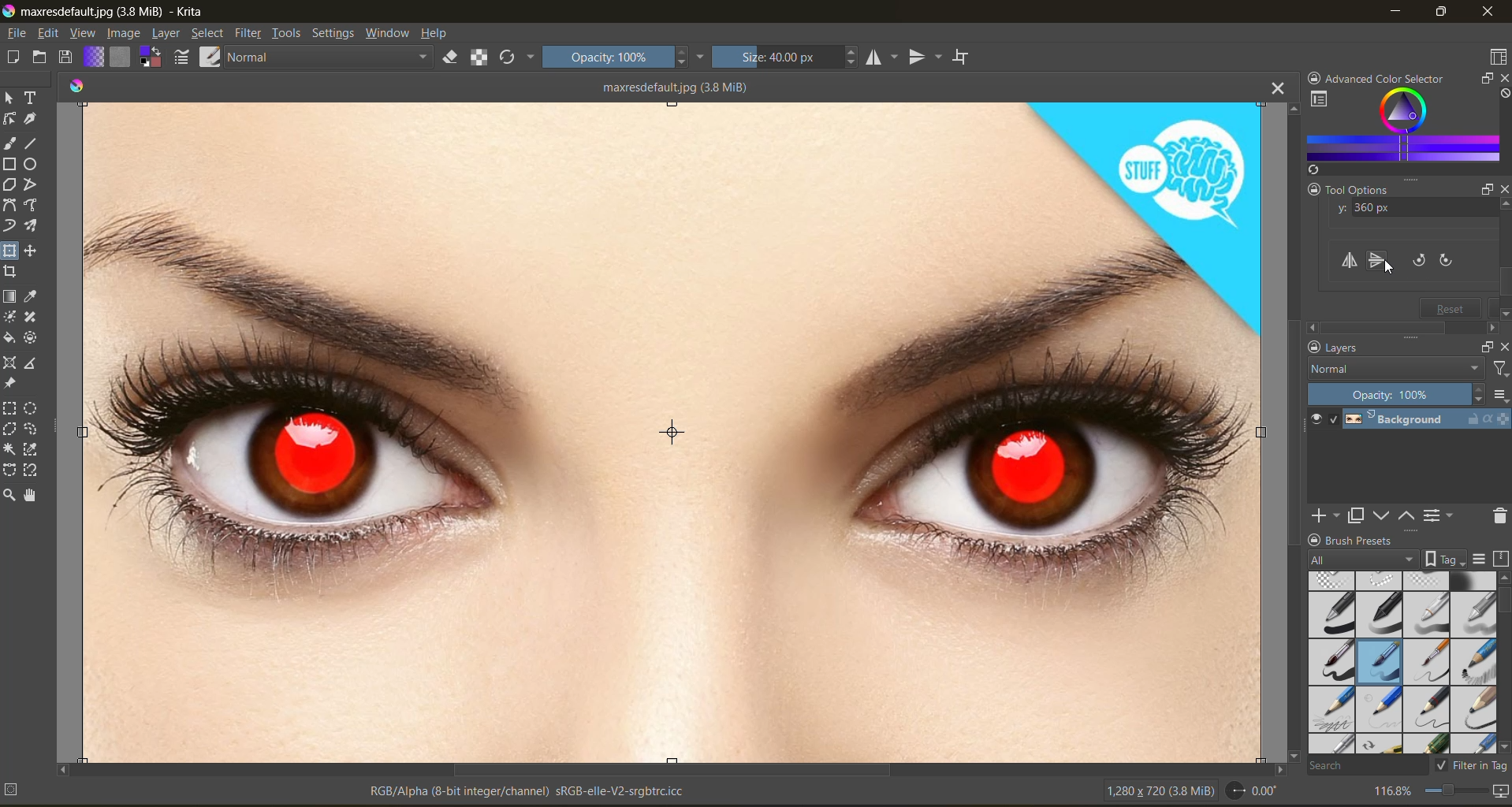  Describe the element at coordinates (1440, 515) in the screenshot. I see `view or change layer properties` at that location.